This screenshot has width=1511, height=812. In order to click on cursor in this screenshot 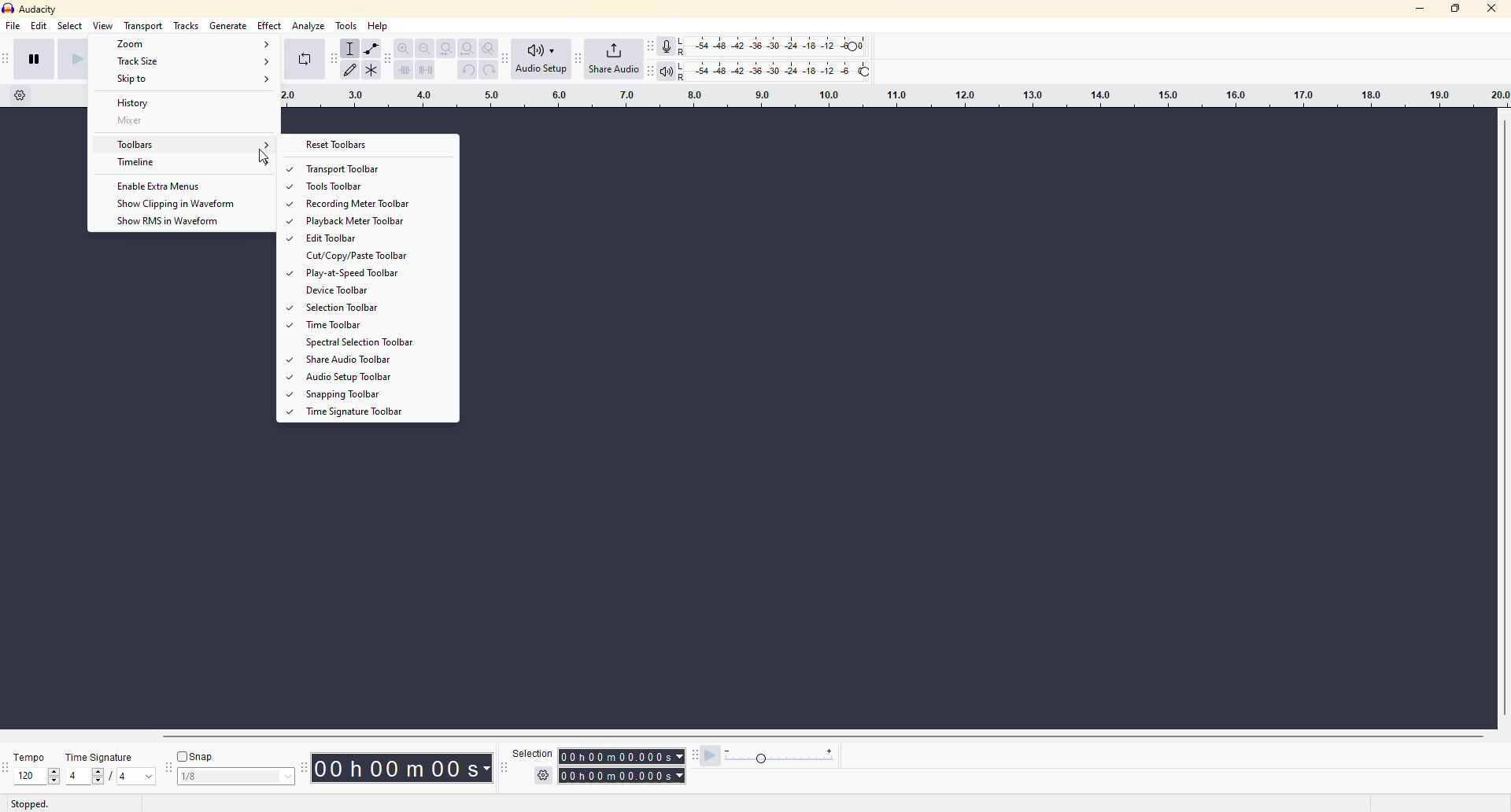, I will do `click(266, 159)`.